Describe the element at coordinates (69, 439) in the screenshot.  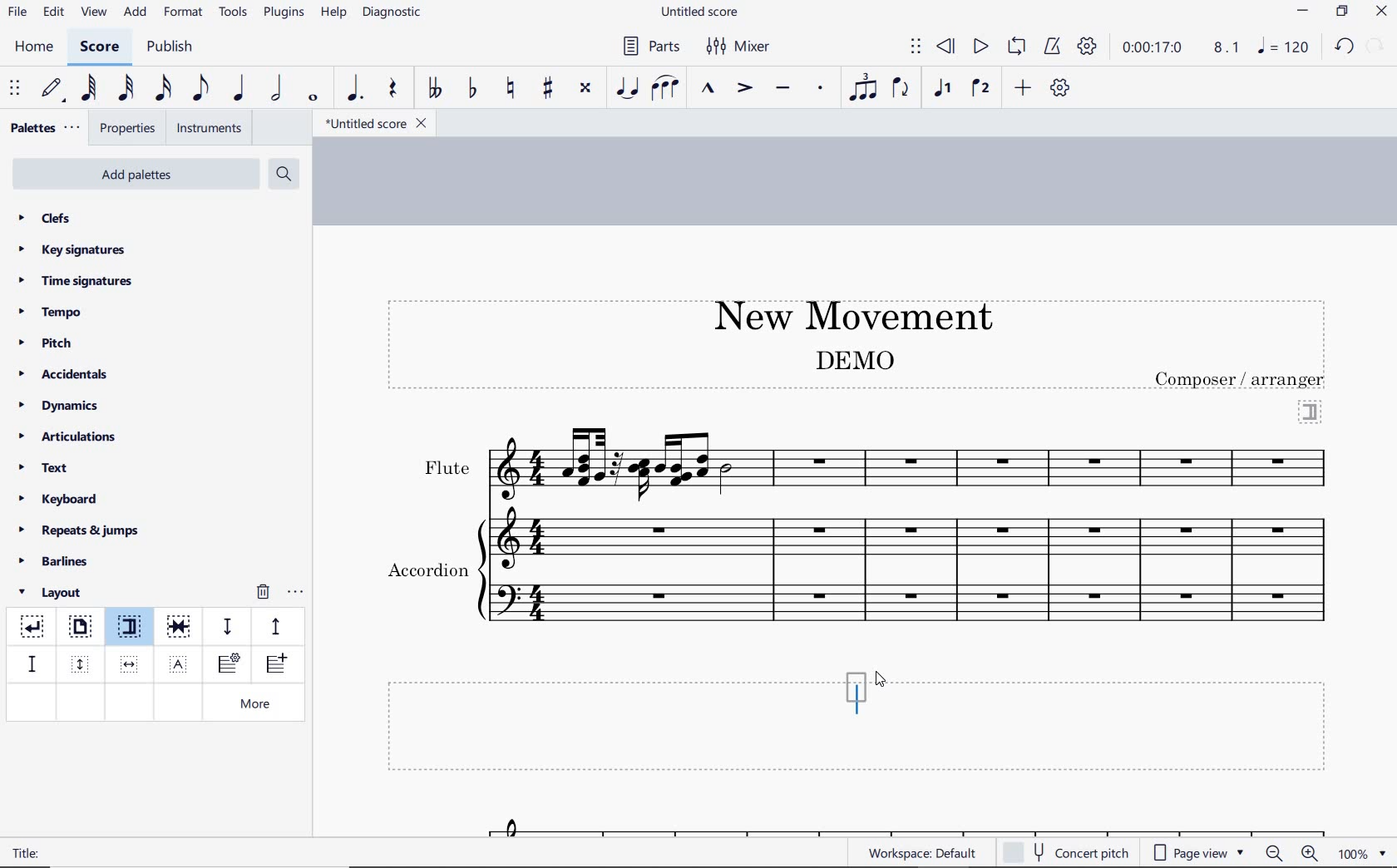
I see `articulations` at that location.